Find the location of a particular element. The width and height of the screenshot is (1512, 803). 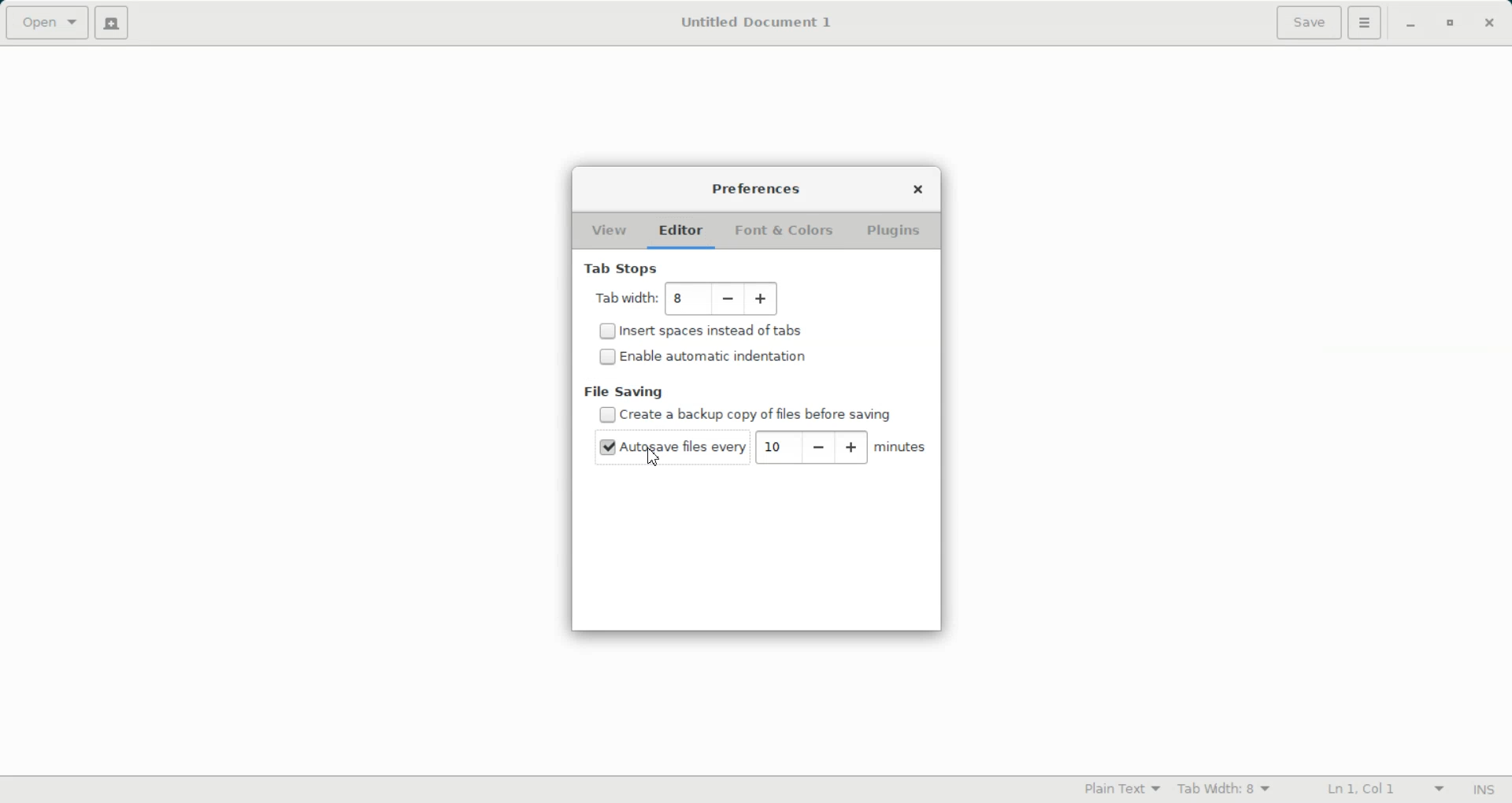

File Saving is located at coordinates (624, 391).